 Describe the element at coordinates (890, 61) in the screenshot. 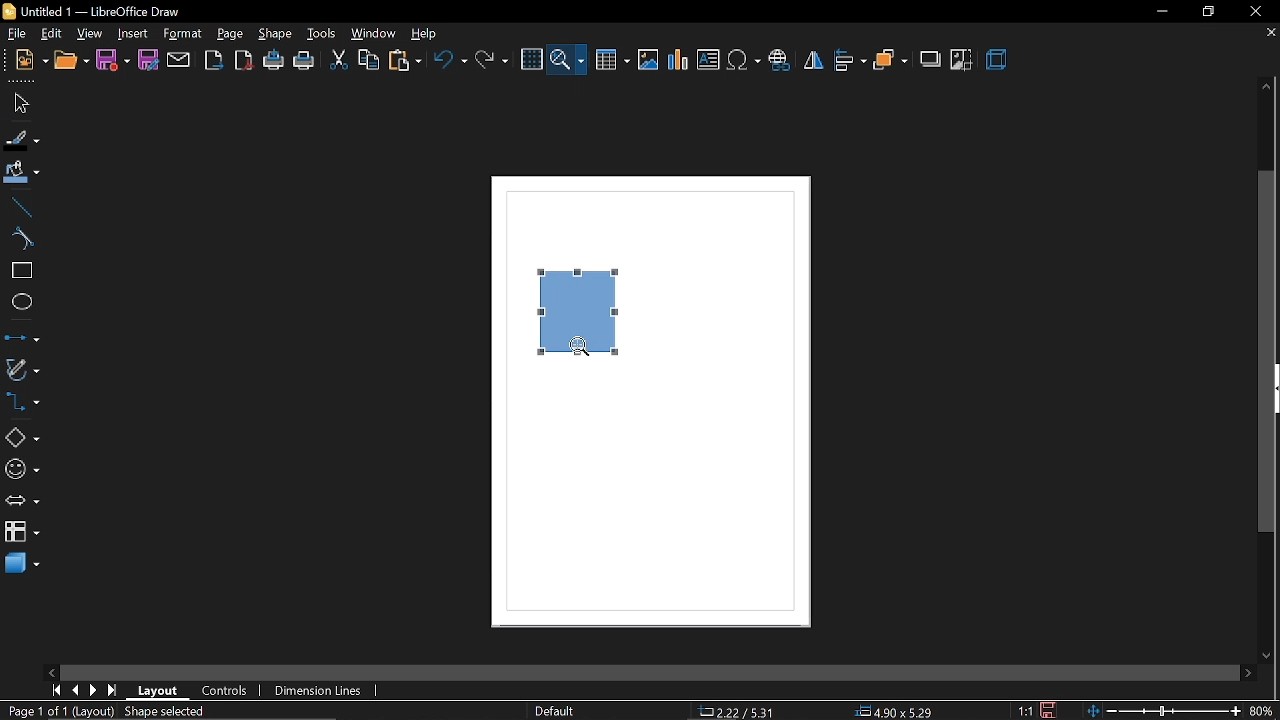

I see `arrange` at that location.